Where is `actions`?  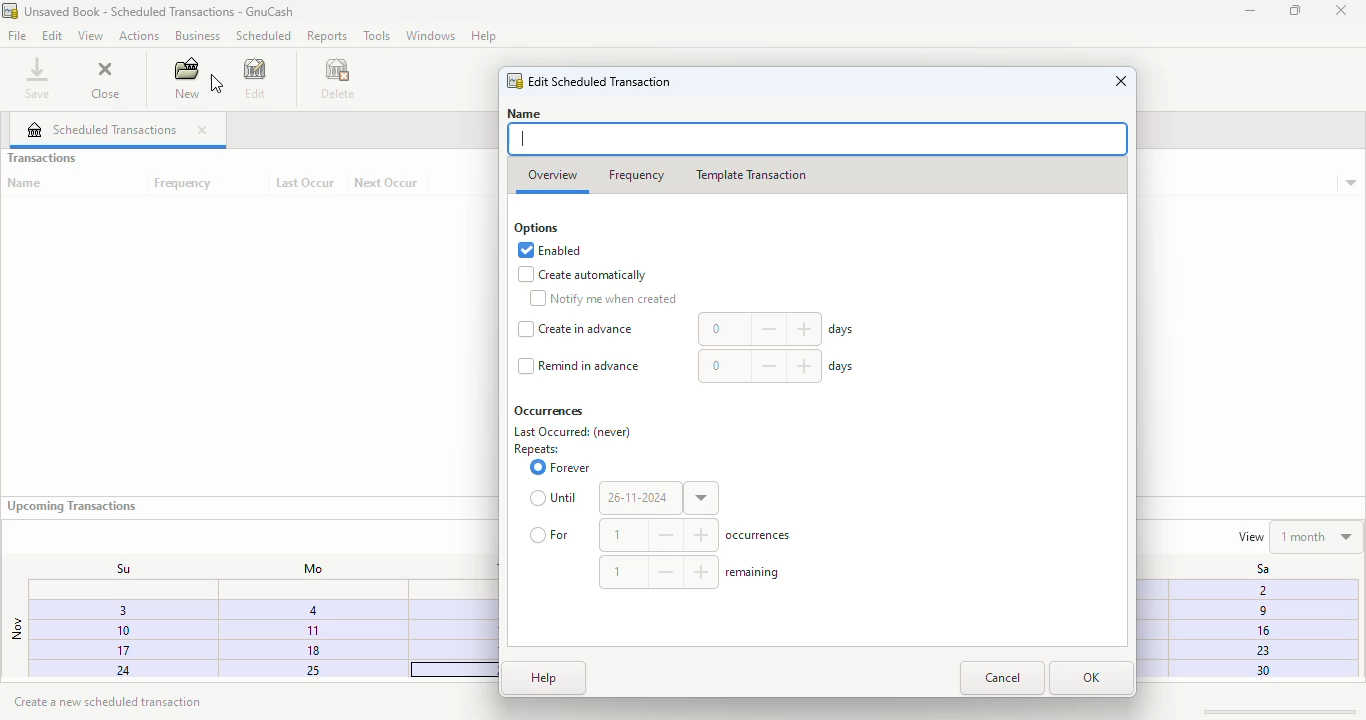
actions is located at coordinates (138, 36).